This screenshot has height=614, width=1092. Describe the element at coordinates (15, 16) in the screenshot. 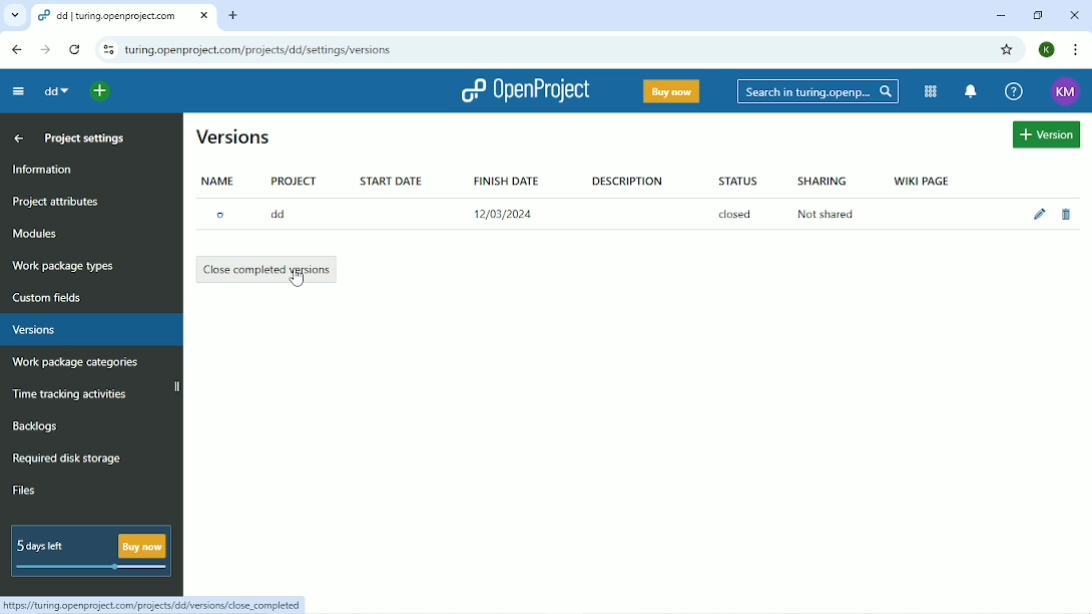

I see `` at that location.